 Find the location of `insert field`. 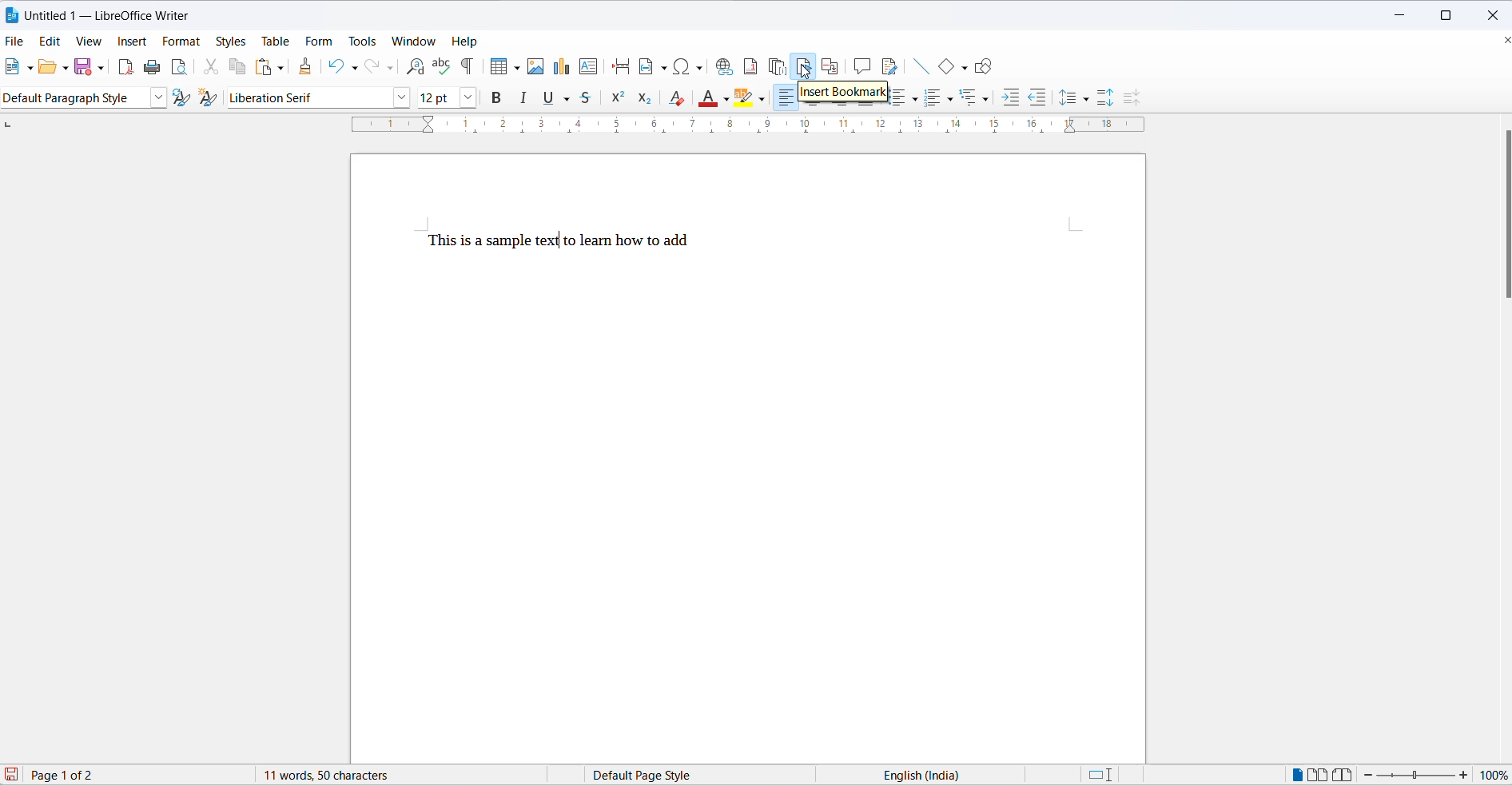

insert field is located at coordinates (654, 65).